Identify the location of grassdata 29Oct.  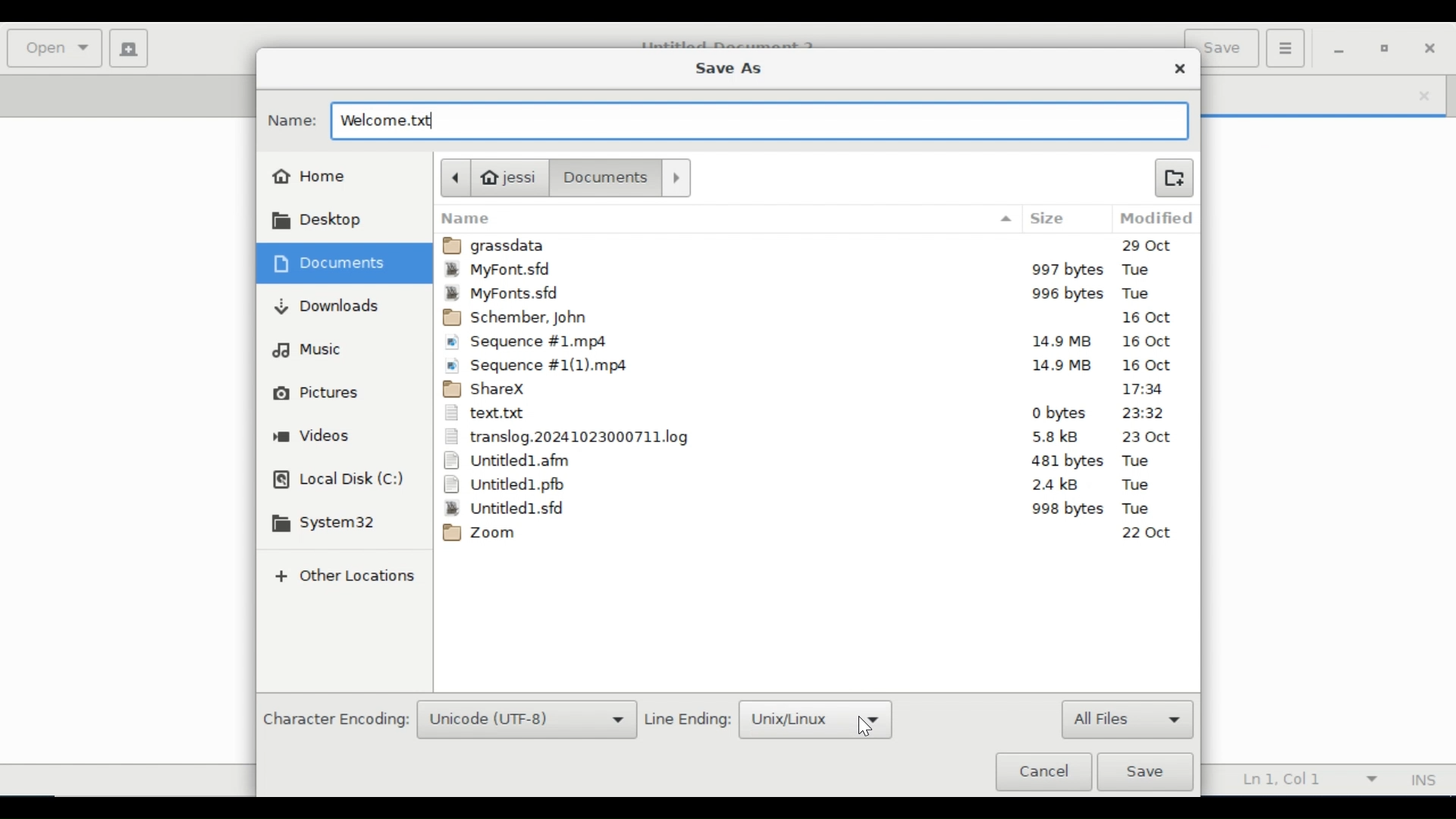
(817, 246).